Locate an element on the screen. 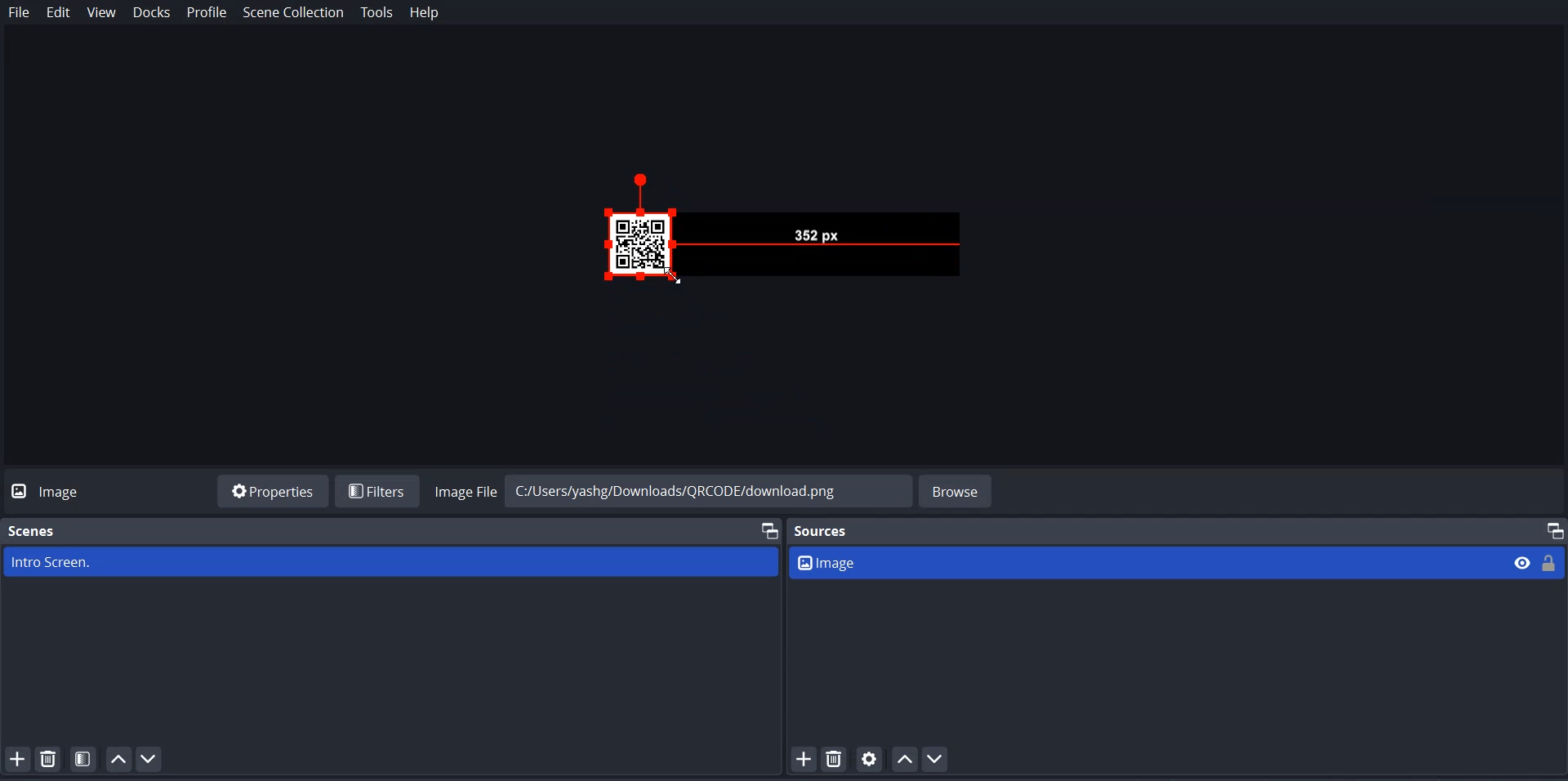 The image size is (1568, 781). Add Scene is located at coordinates (16, 758).